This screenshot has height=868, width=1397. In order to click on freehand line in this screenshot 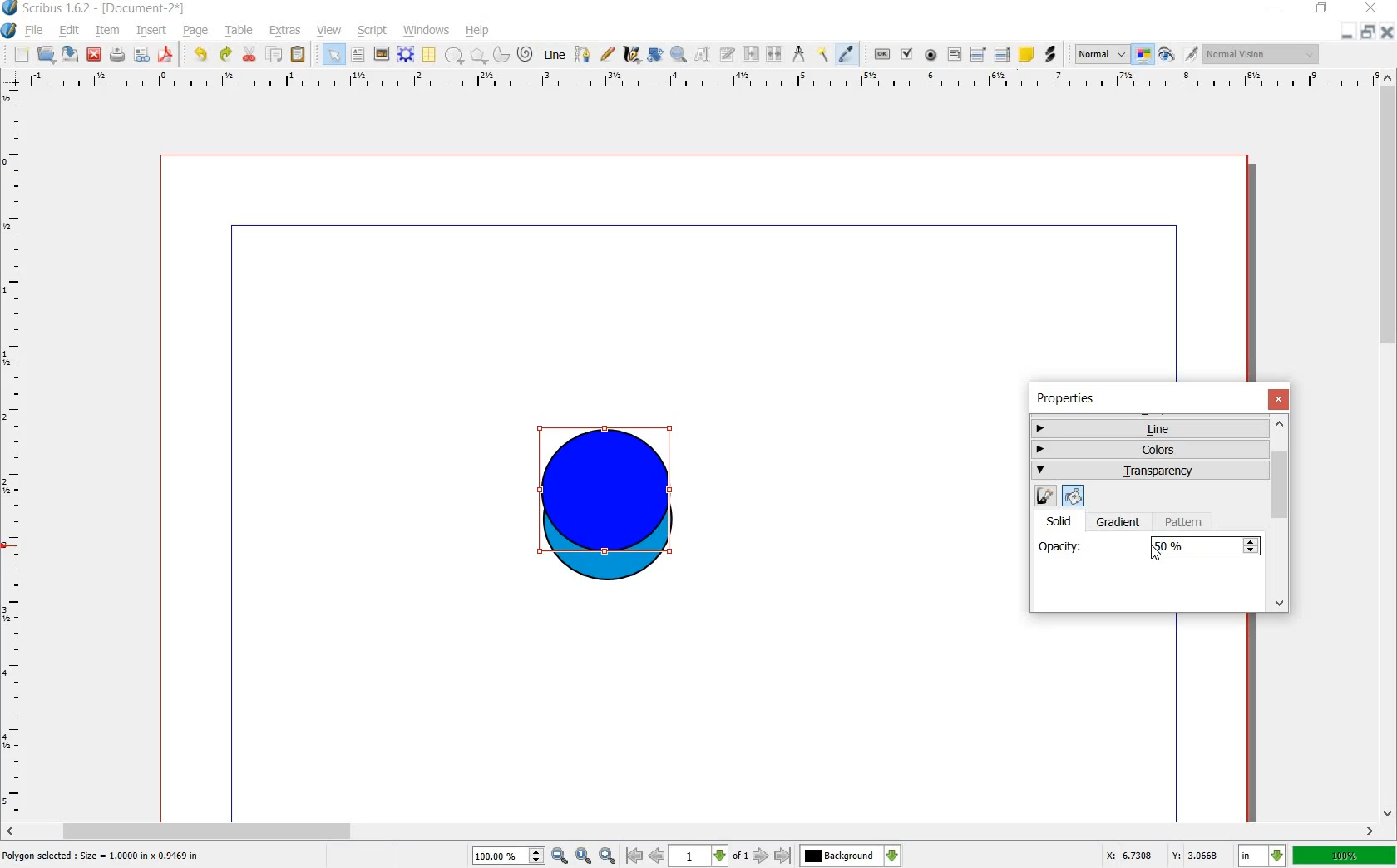, I will do `click(609, 54)`.